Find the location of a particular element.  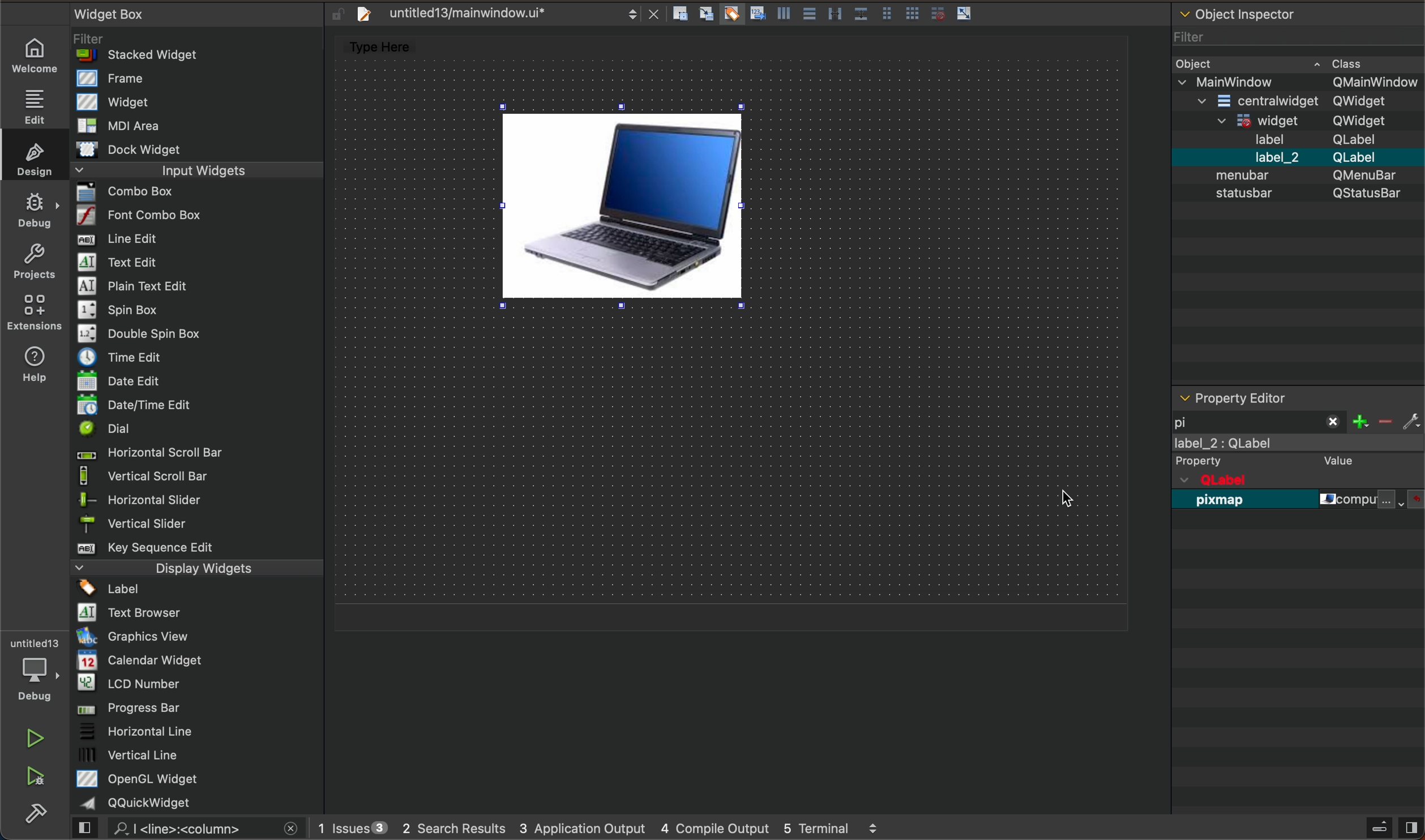

search is located at coordinates (192, 829).